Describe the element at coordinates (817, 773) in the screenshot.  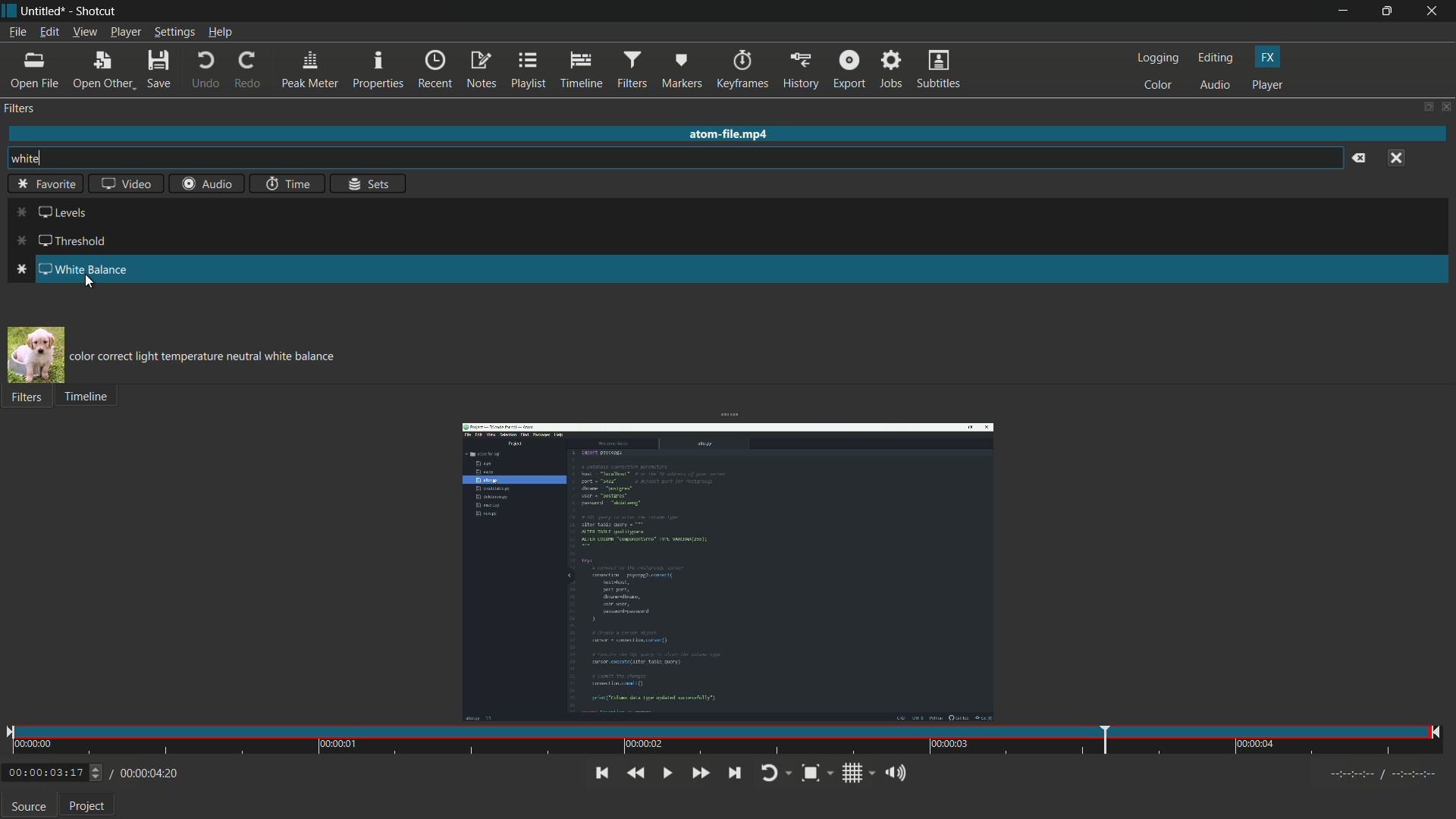
I see `toggle zoom` at that location.